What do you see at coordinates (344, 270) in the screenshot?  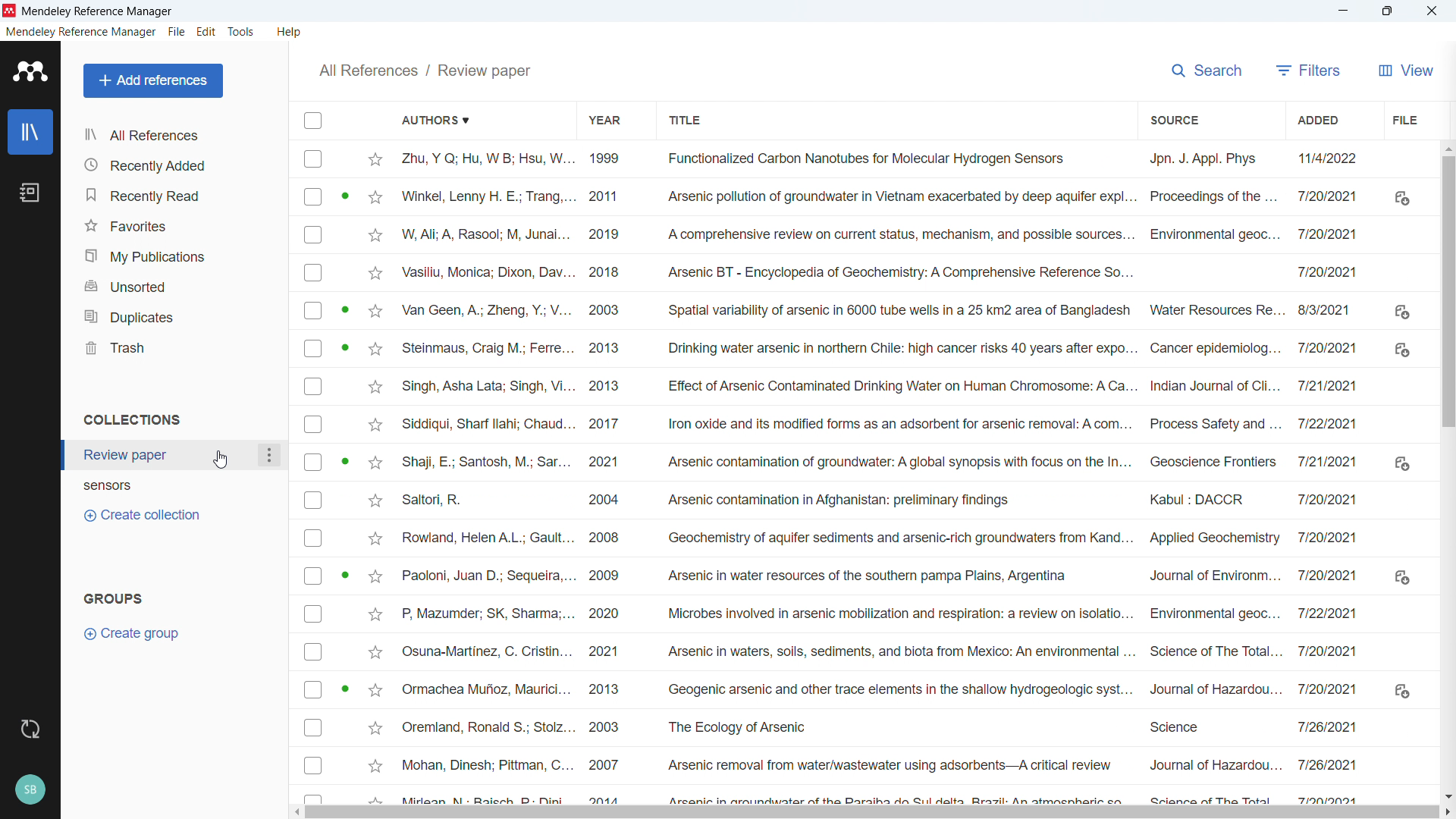 I see `PDF available` at bounding box center [344, 270].